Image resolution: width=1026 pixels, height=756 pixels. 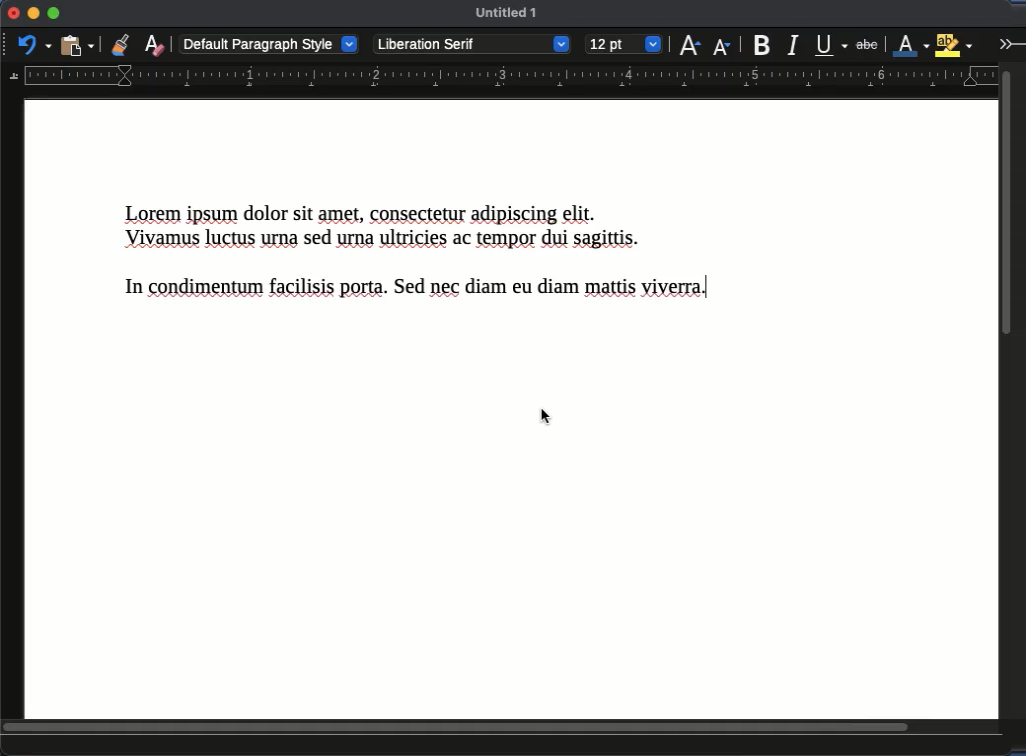 I want to click on default paragraph style, so click(x=270, y=43).